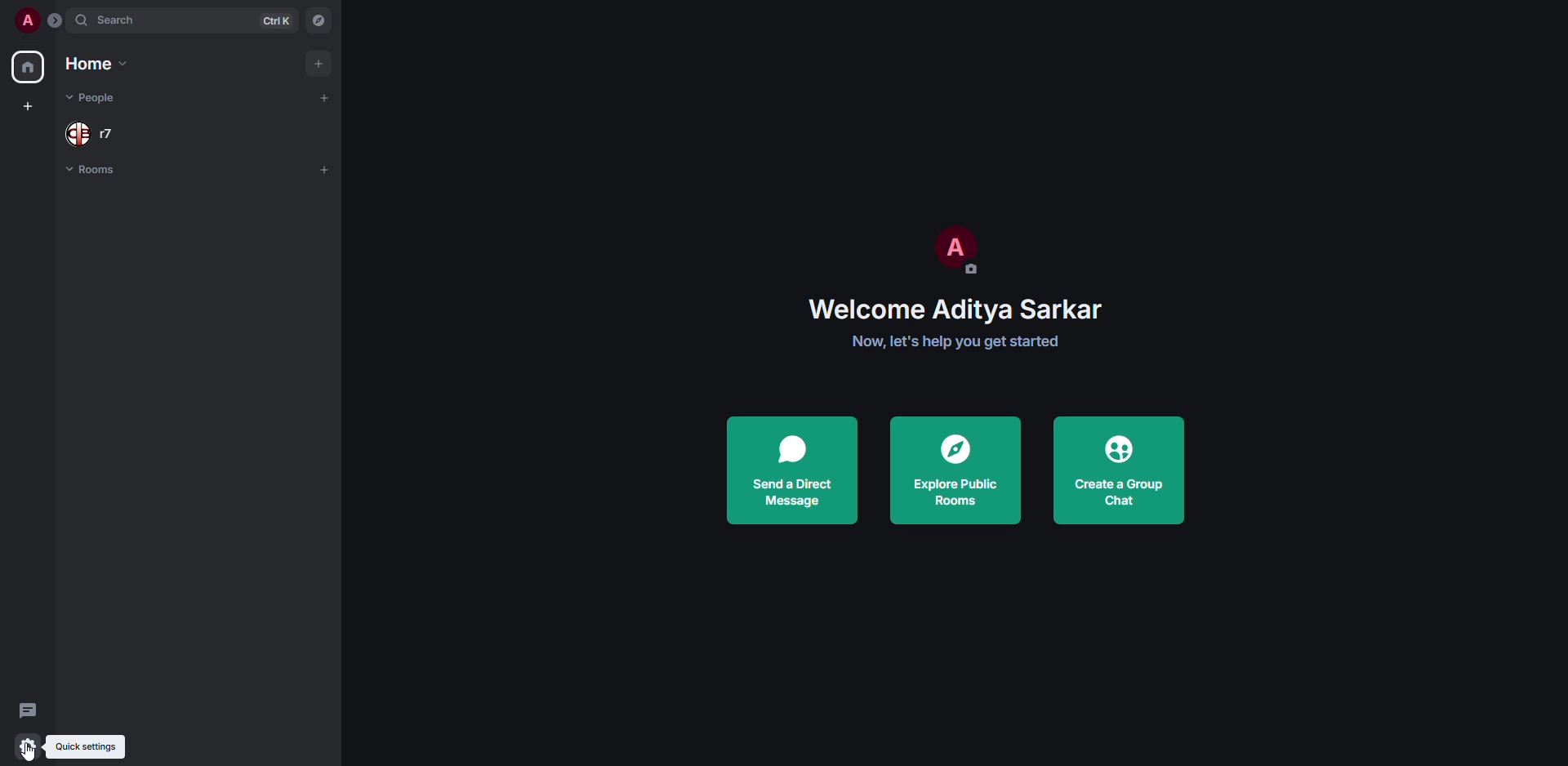 This screenshot has width=1568, height=766. Describe the element at coordinates (29, 67) in the screenshot. I see `home` at that location.